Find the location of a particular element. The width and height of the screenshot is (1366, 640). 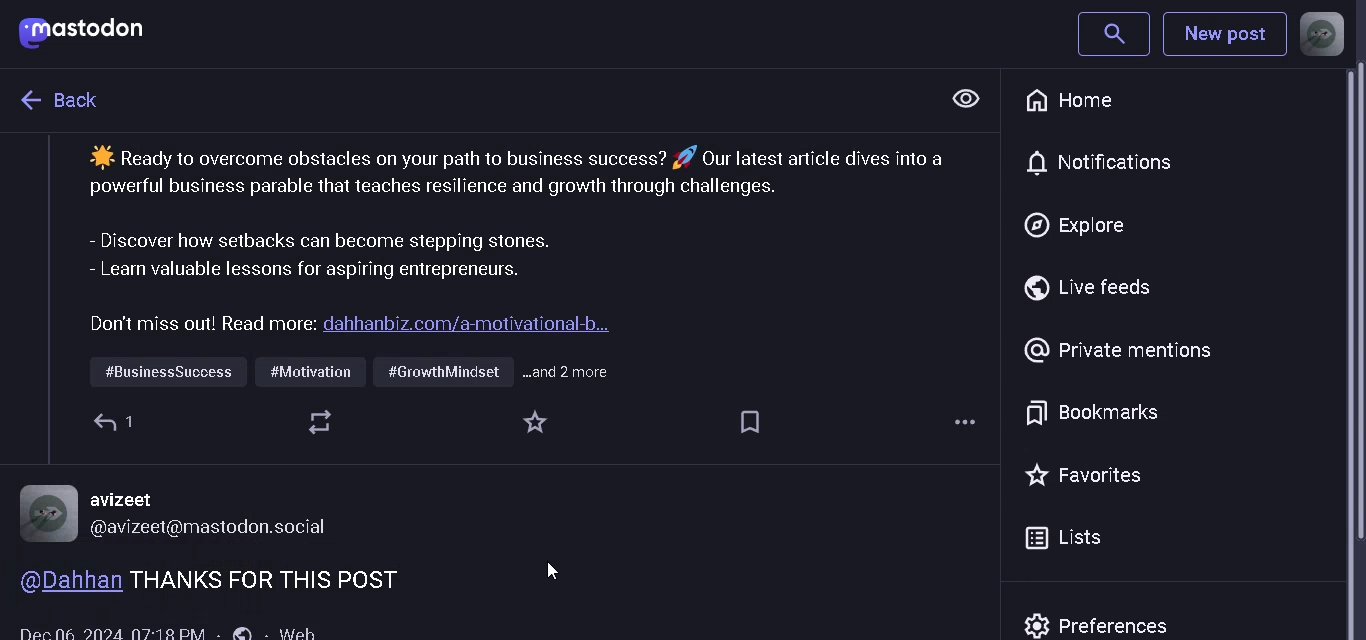

avizeet is located at coordinates (182, 501).